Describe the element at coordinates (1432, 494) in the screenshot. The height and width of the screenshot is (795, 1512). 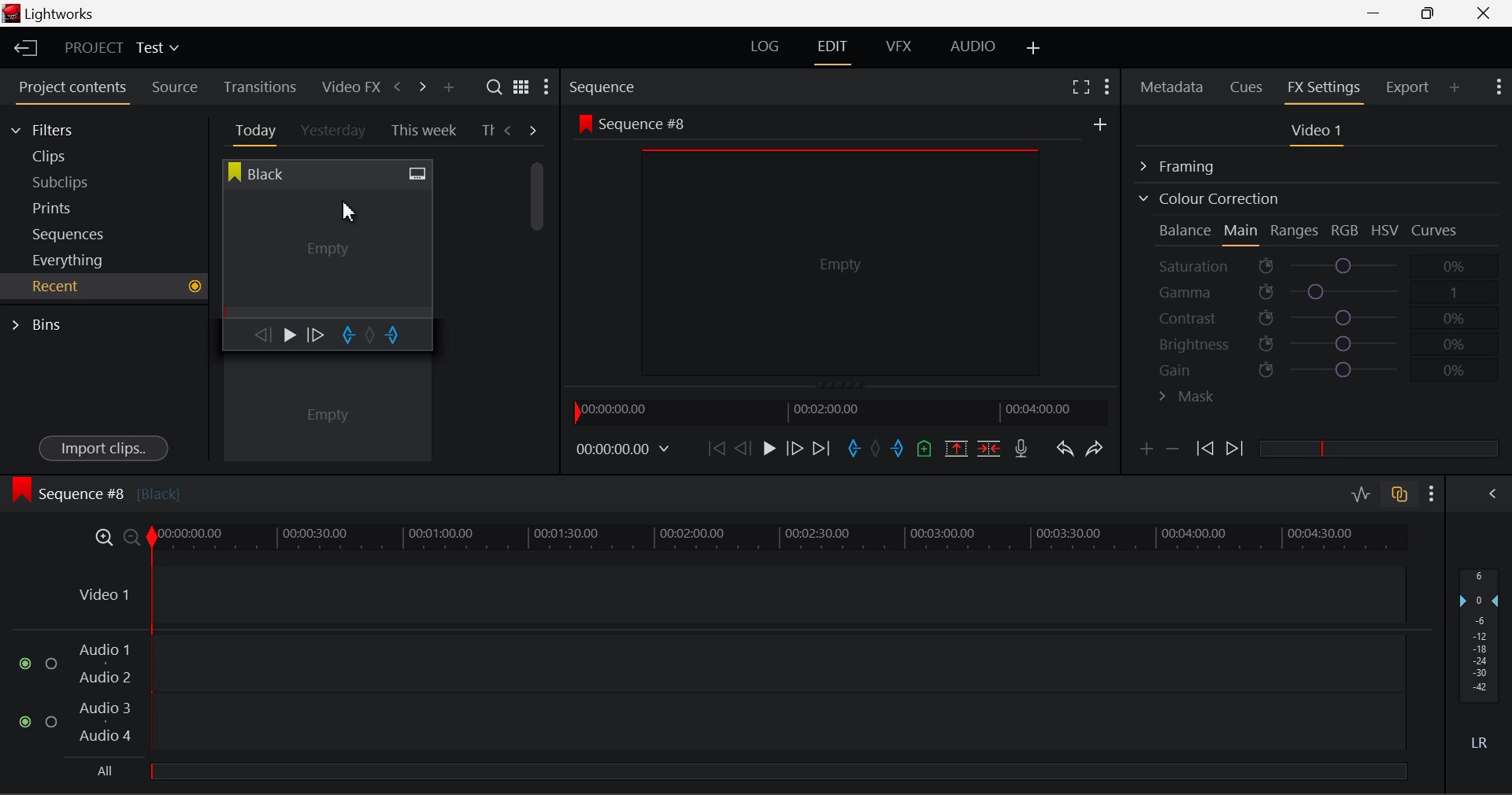
I see `Show Settings` at that location.